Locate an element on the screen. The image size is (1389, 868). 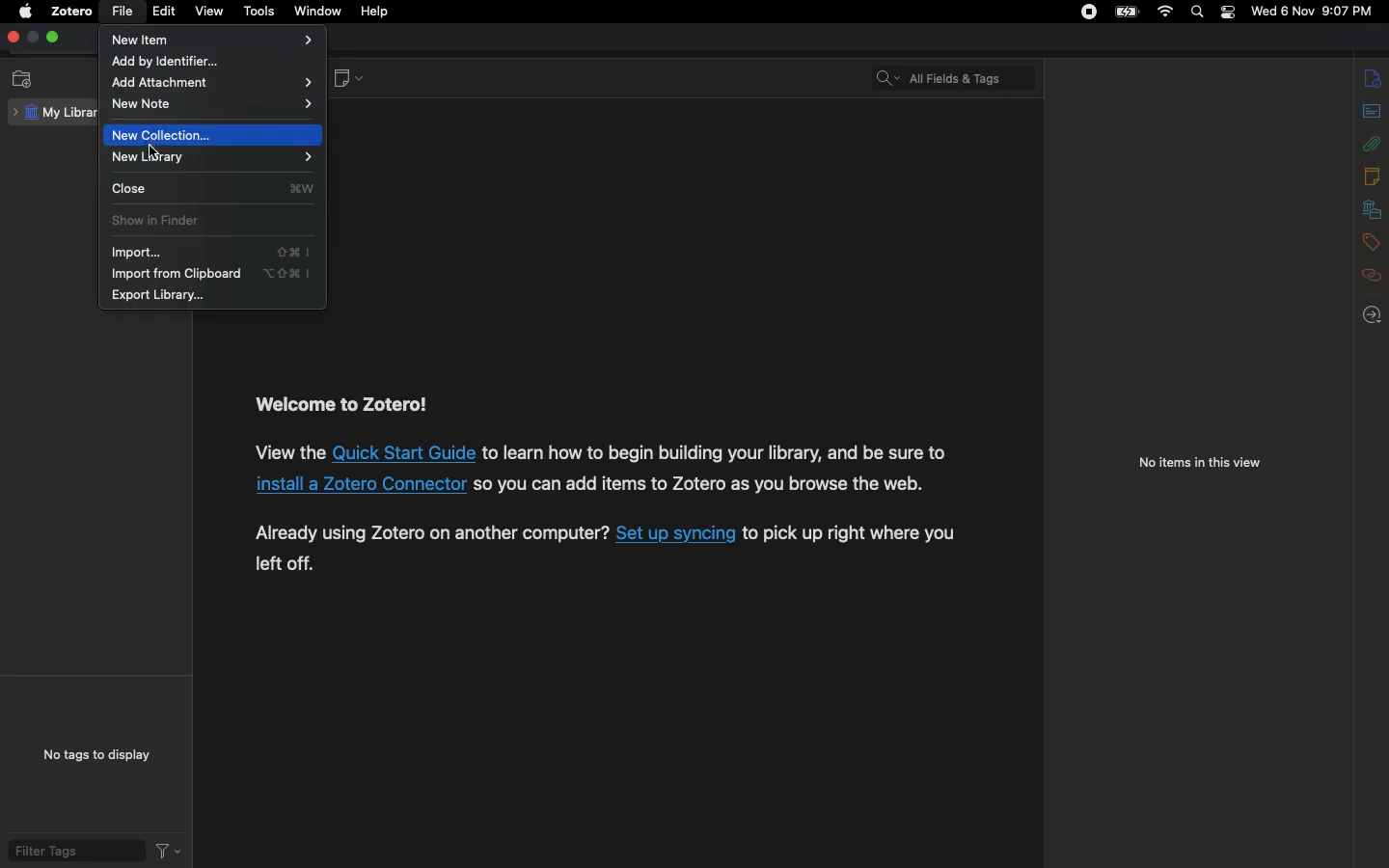
No items in this view is located at coordinates (1198, 465).